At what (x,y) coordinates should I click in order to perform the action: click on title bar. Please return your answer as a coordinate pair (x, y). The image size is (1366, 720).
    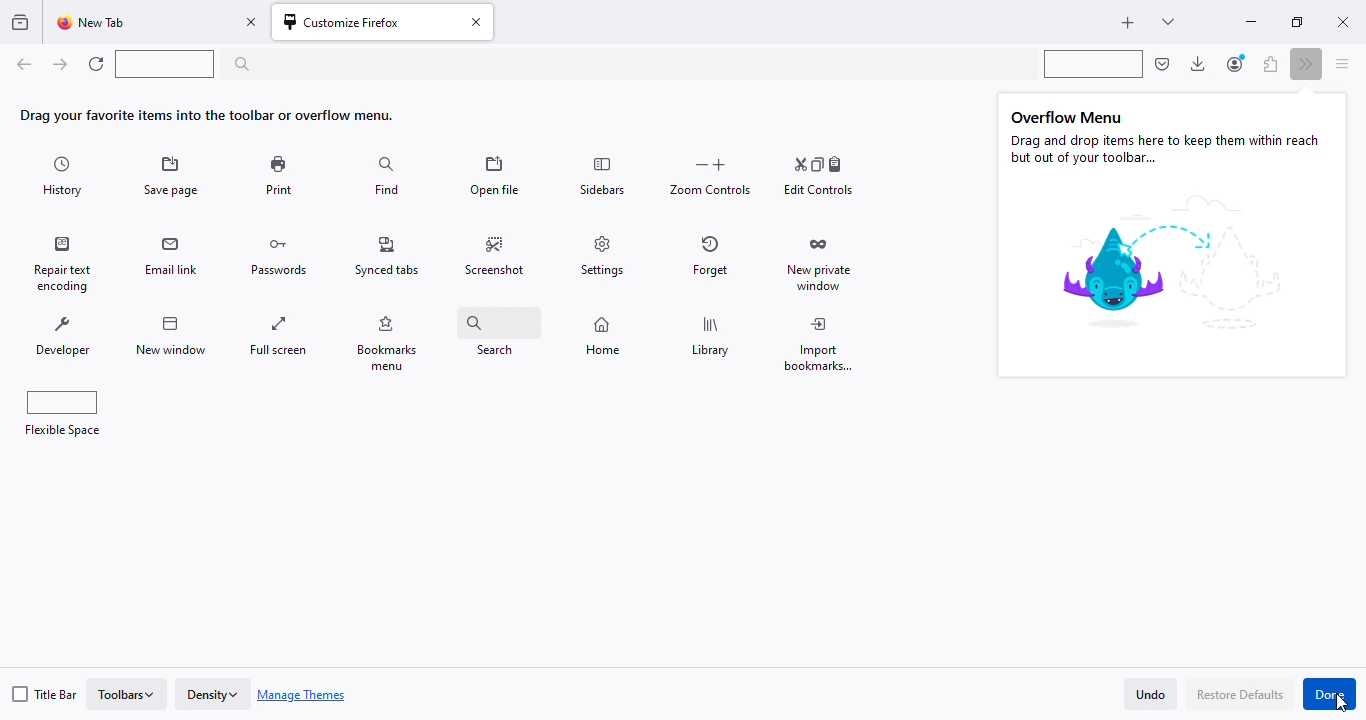
    Looking at the image, I should click on (44, 694).